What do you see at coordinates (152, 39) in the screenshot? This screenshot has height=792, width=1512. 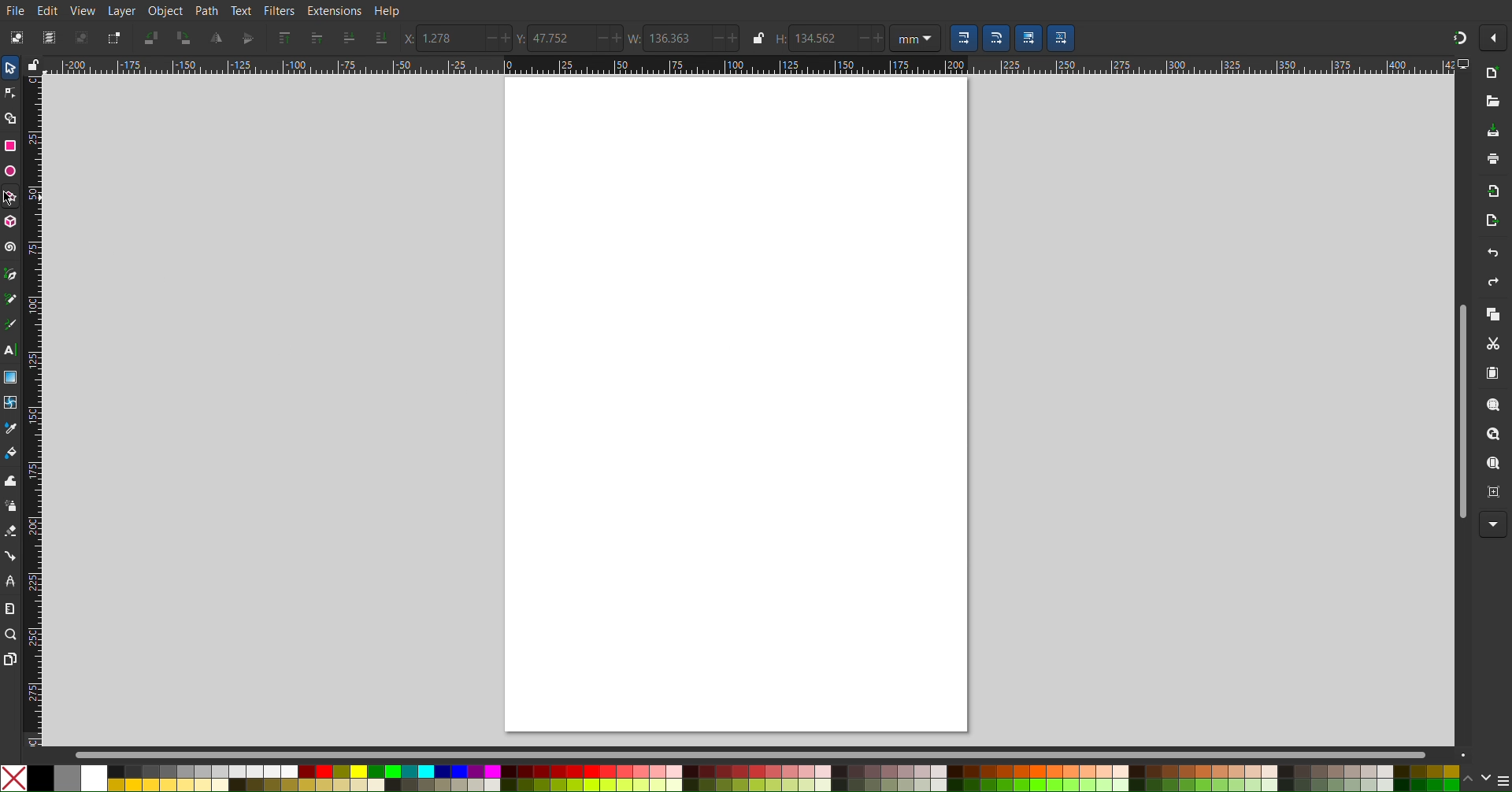 I see `Rotate CCW` at bounding box center [152, 39].